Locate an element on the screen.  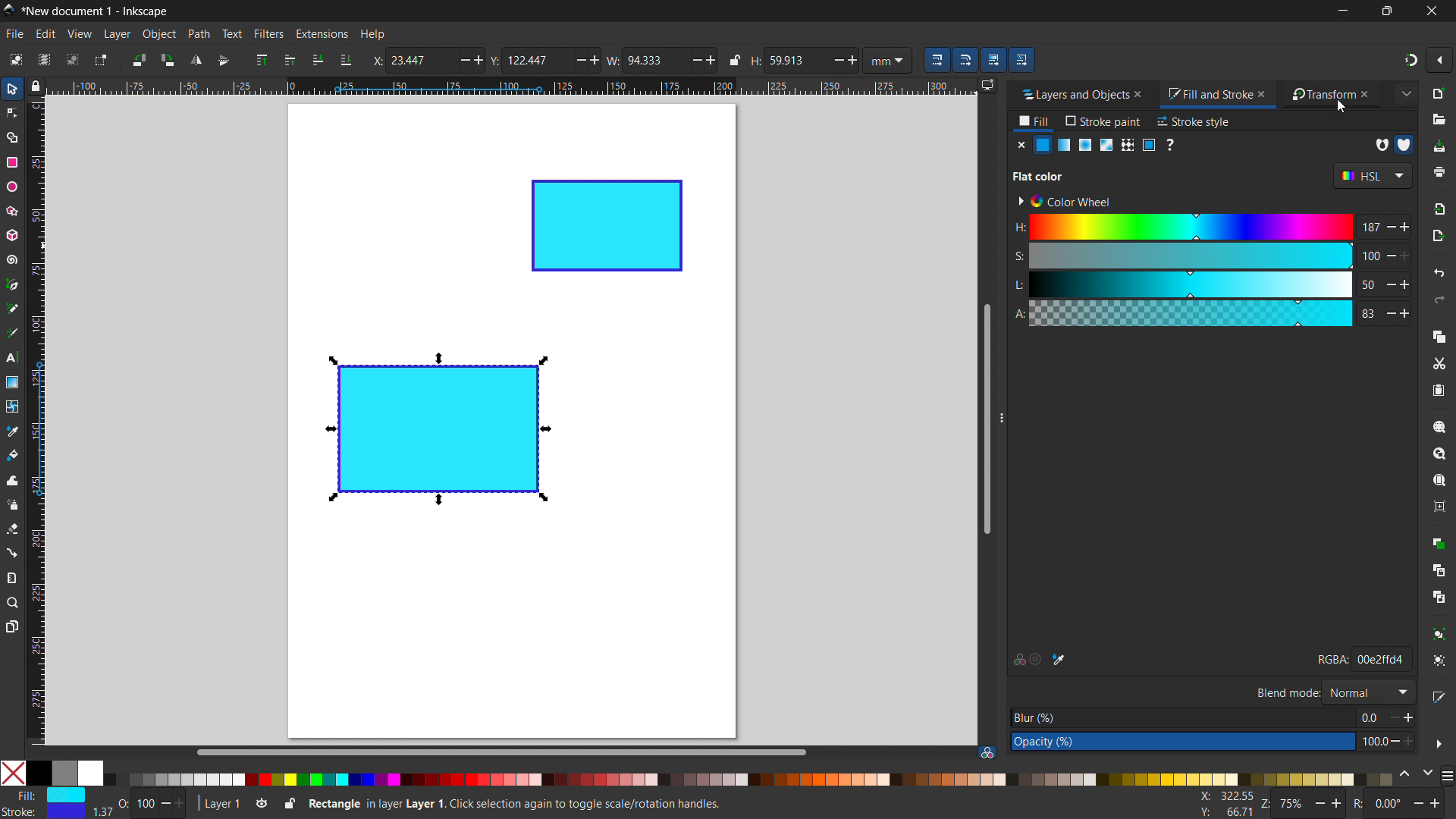
file is located at coordinates (15, 34).